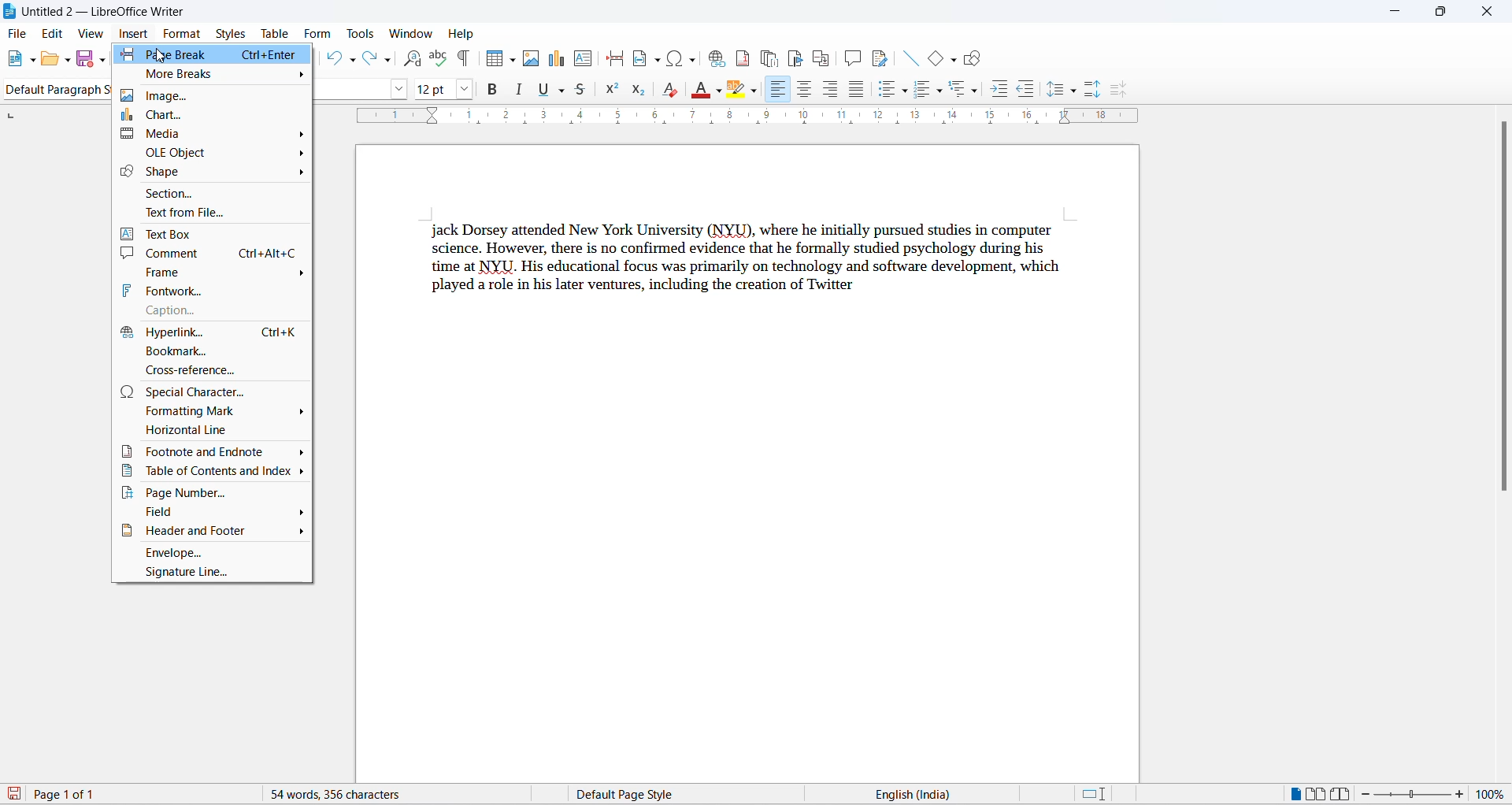 Image resolution: width=1512 pixels, height=805 pixels. I want to click on justified, so click(854, 89).